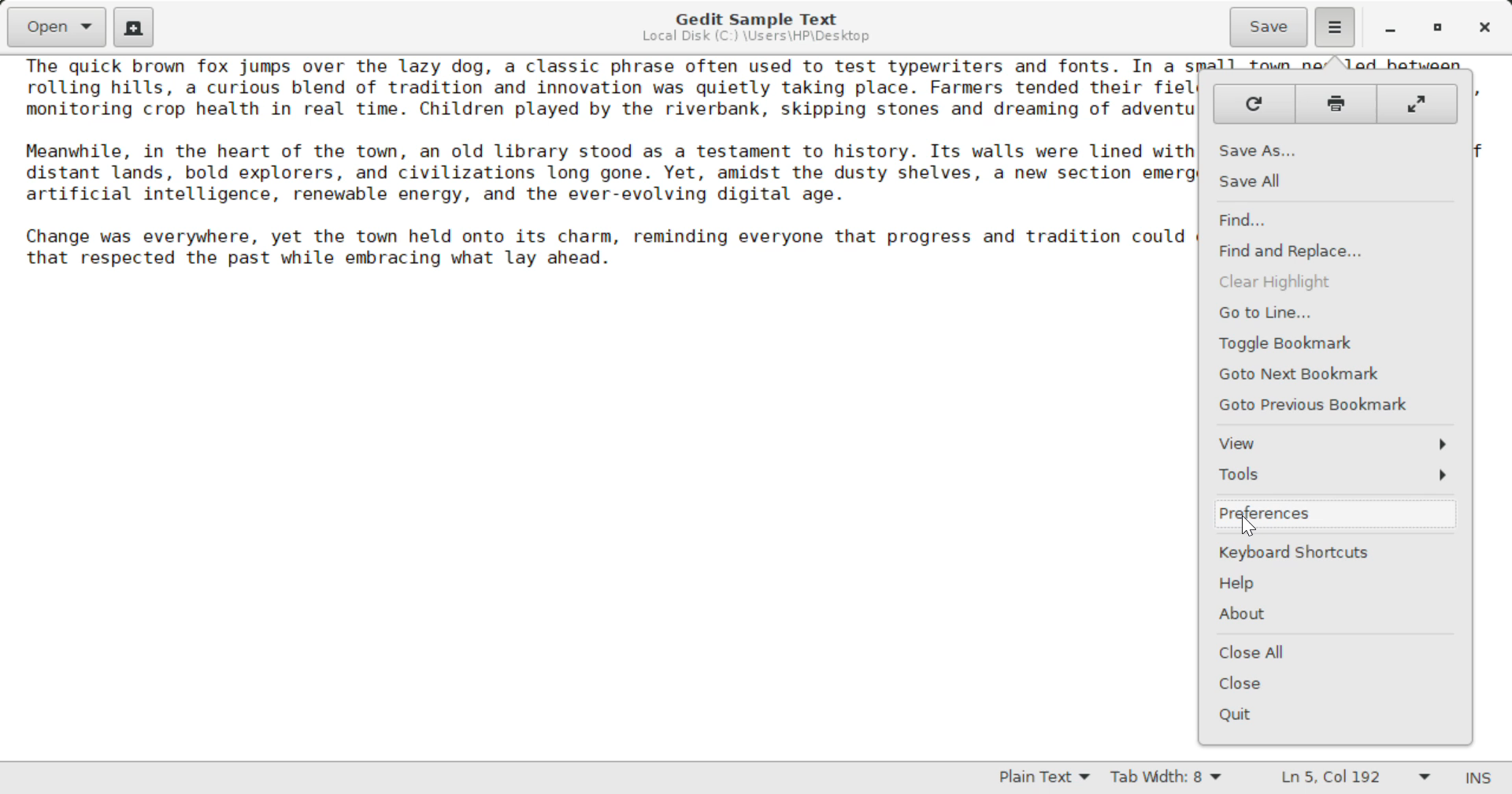  What do you see at coordinates (1332, 443) in the screenshot?
I see `View` at bounding box center [1332, 443].